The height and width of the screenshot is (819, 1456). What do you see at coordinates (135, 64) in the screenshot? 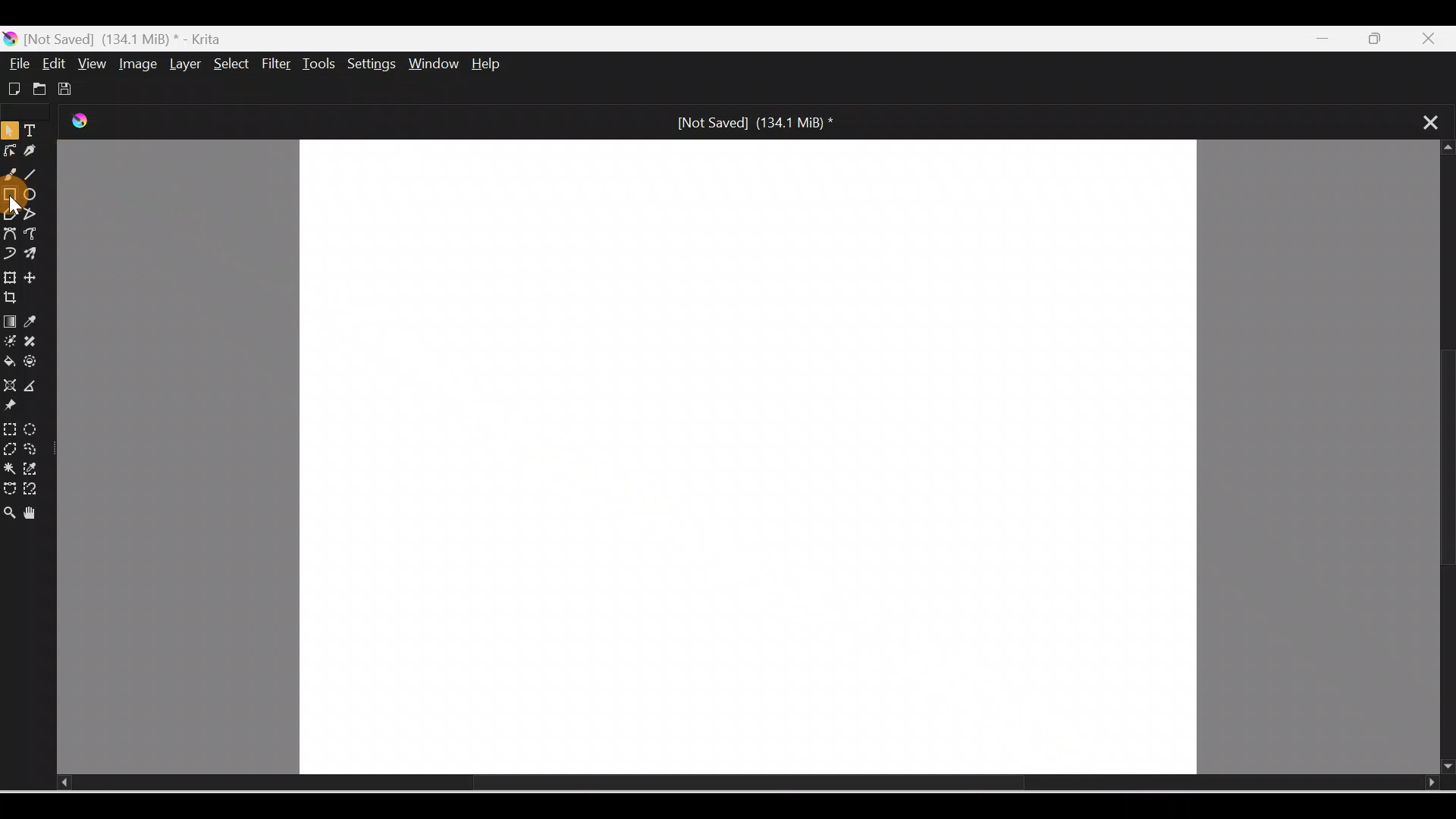
I see `Image` at bounding box center [135, 64].